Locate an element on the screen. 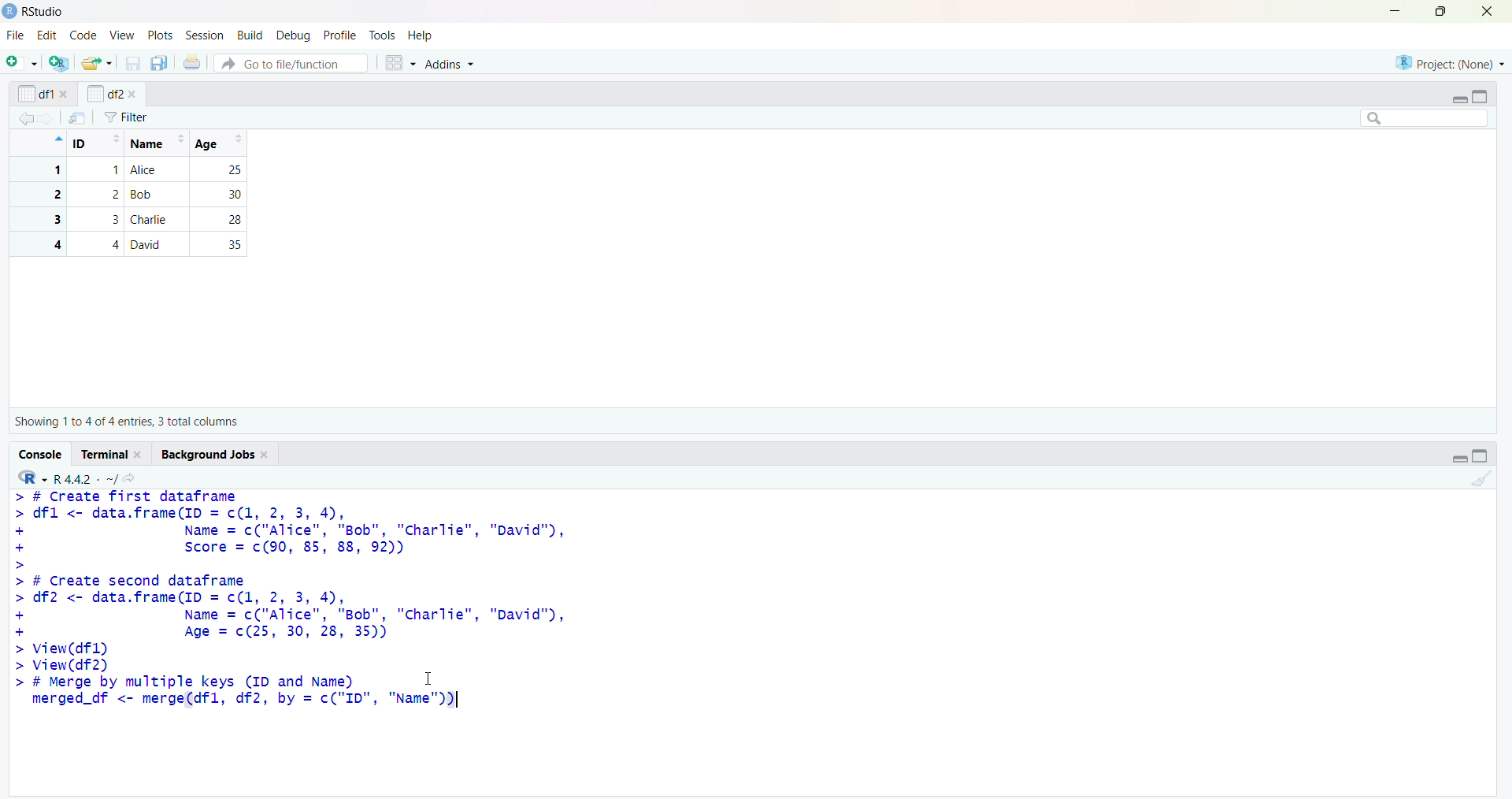 The height and width of the screenshot is (799, 1512). age is located at coordinates (222, 143).